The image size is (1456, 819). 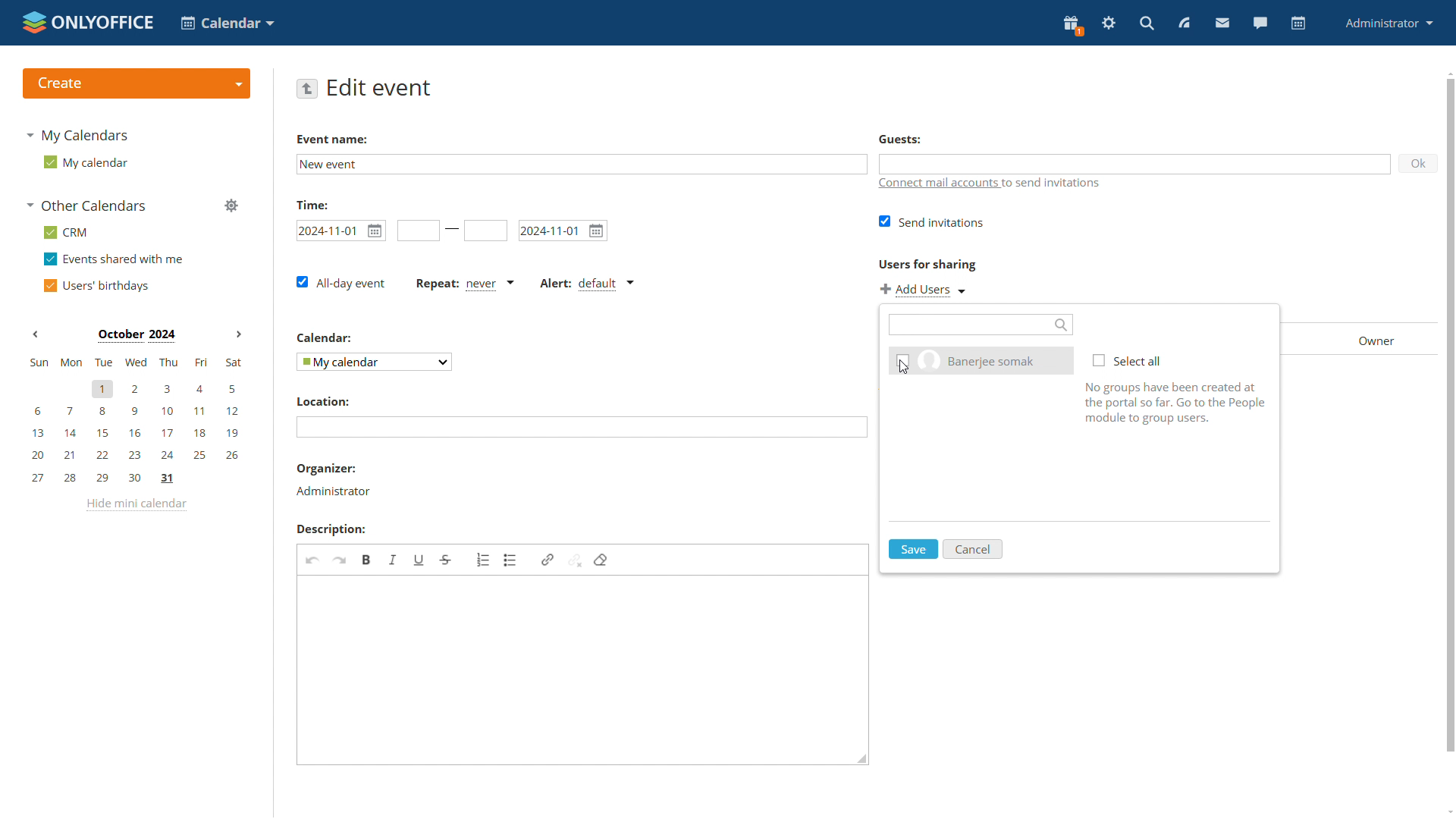 I want to click on italic, so click(x=392, y=559).